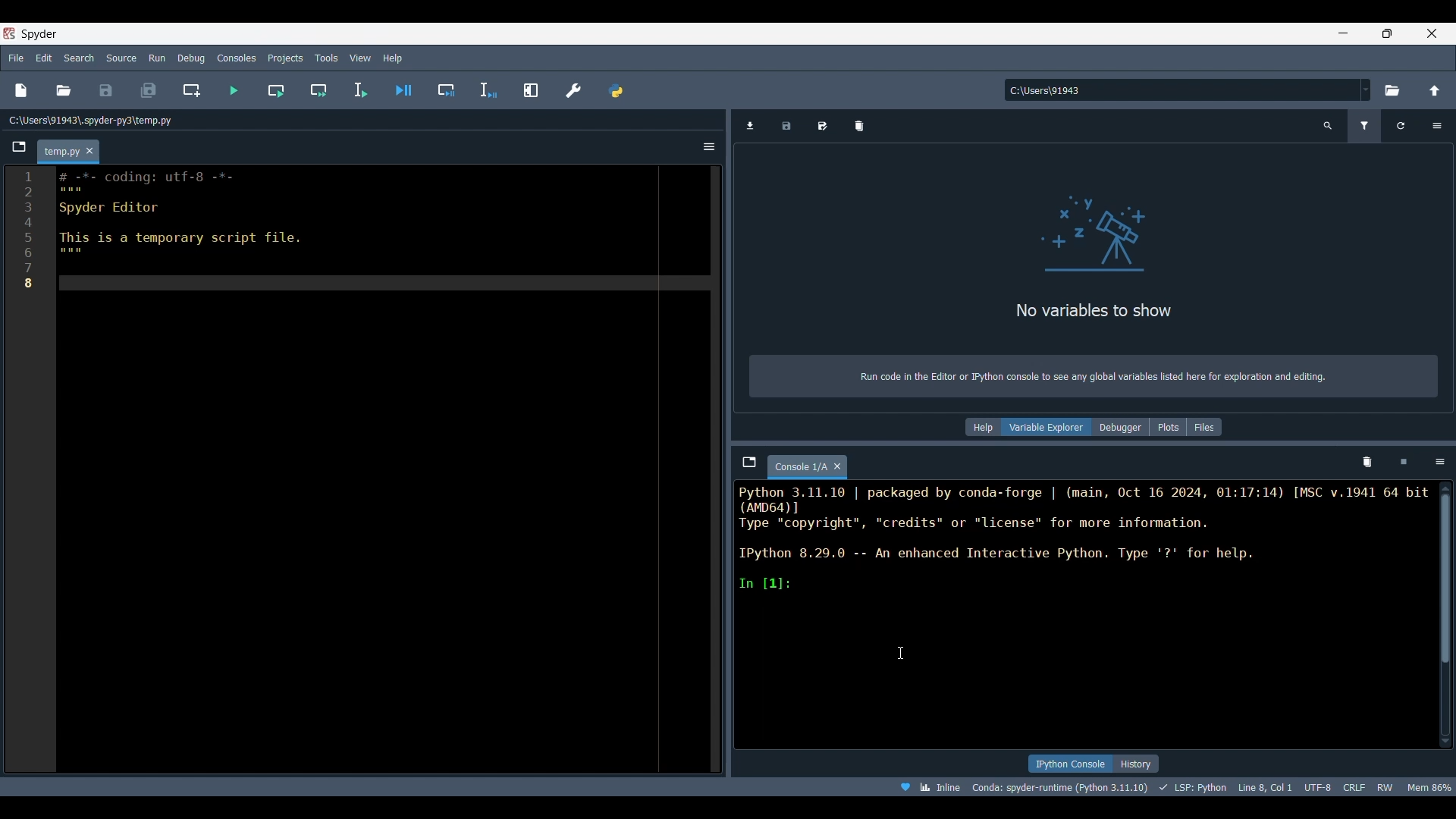 This screenshot has width=1456, height=819. What do you see at coordinates (1349, 36) in the screenshot?
I see `Minimize` at bounding box center [1349, 36].